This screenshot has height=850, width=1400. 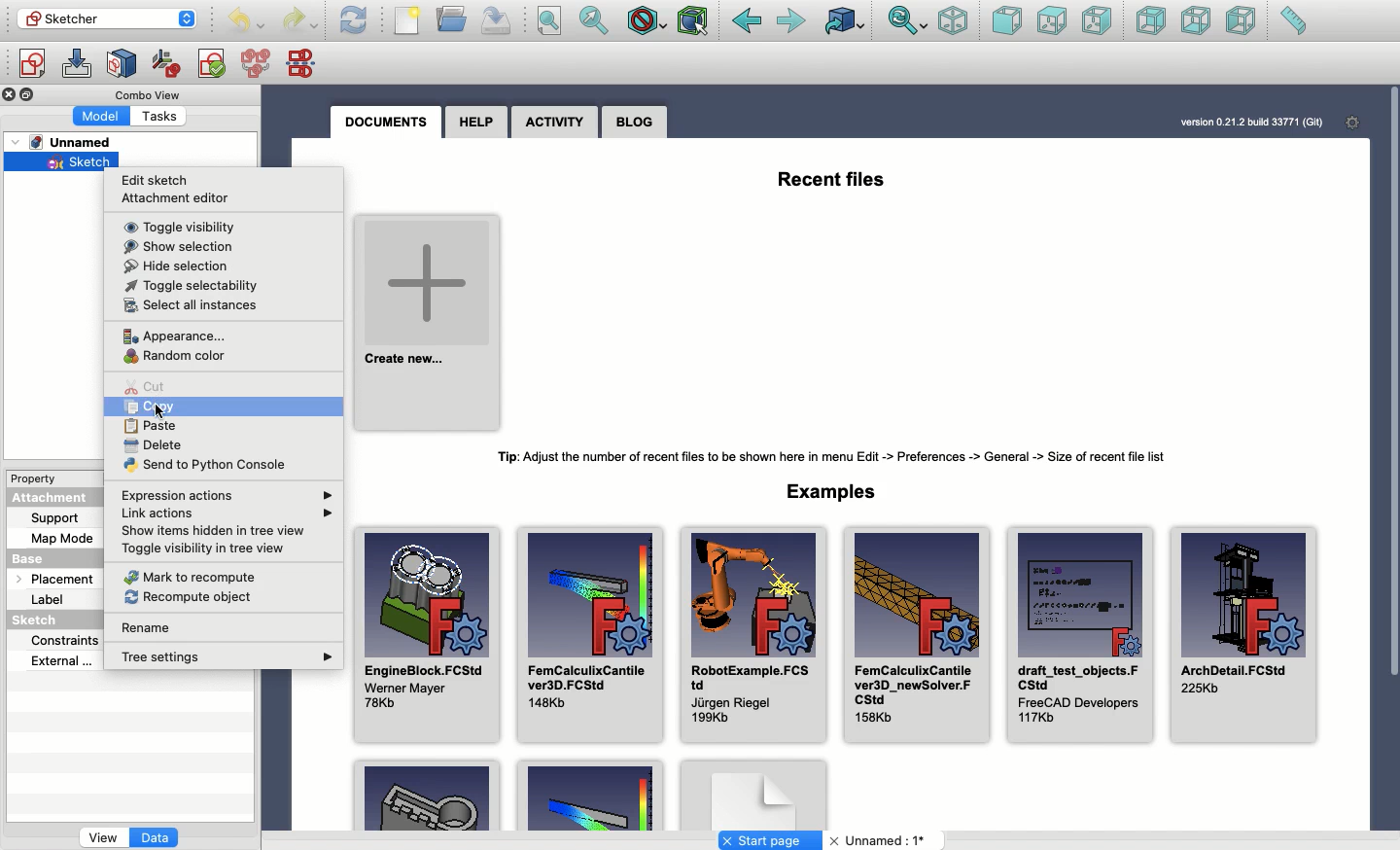 What do you see at coordinates (31, 66) in the screenshot?
I see `Create sketch ` at bounding box center [31, 66].